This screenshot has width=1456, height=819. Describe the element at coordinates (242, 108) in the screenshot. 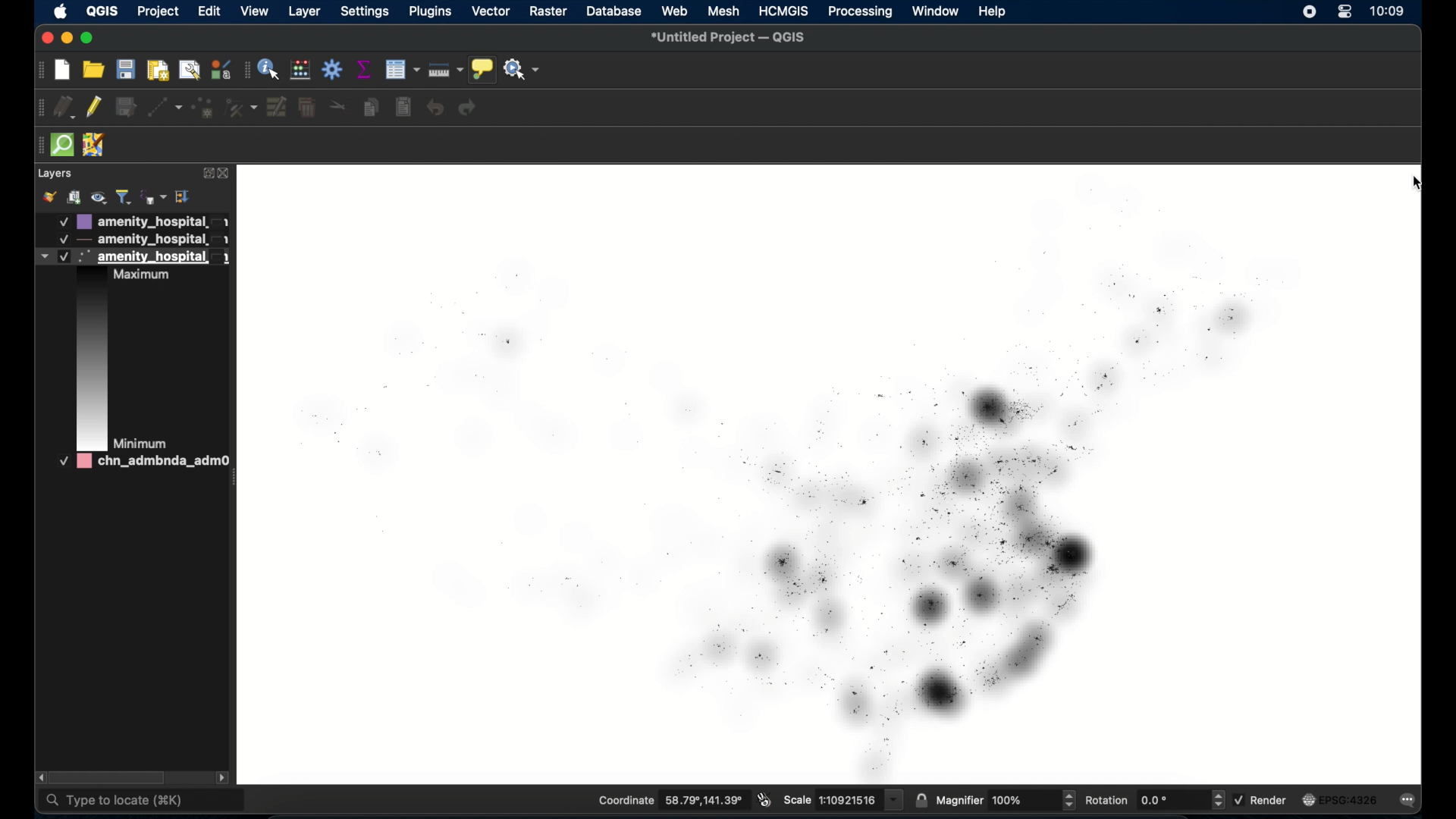

I see `vertex tool` at that location.